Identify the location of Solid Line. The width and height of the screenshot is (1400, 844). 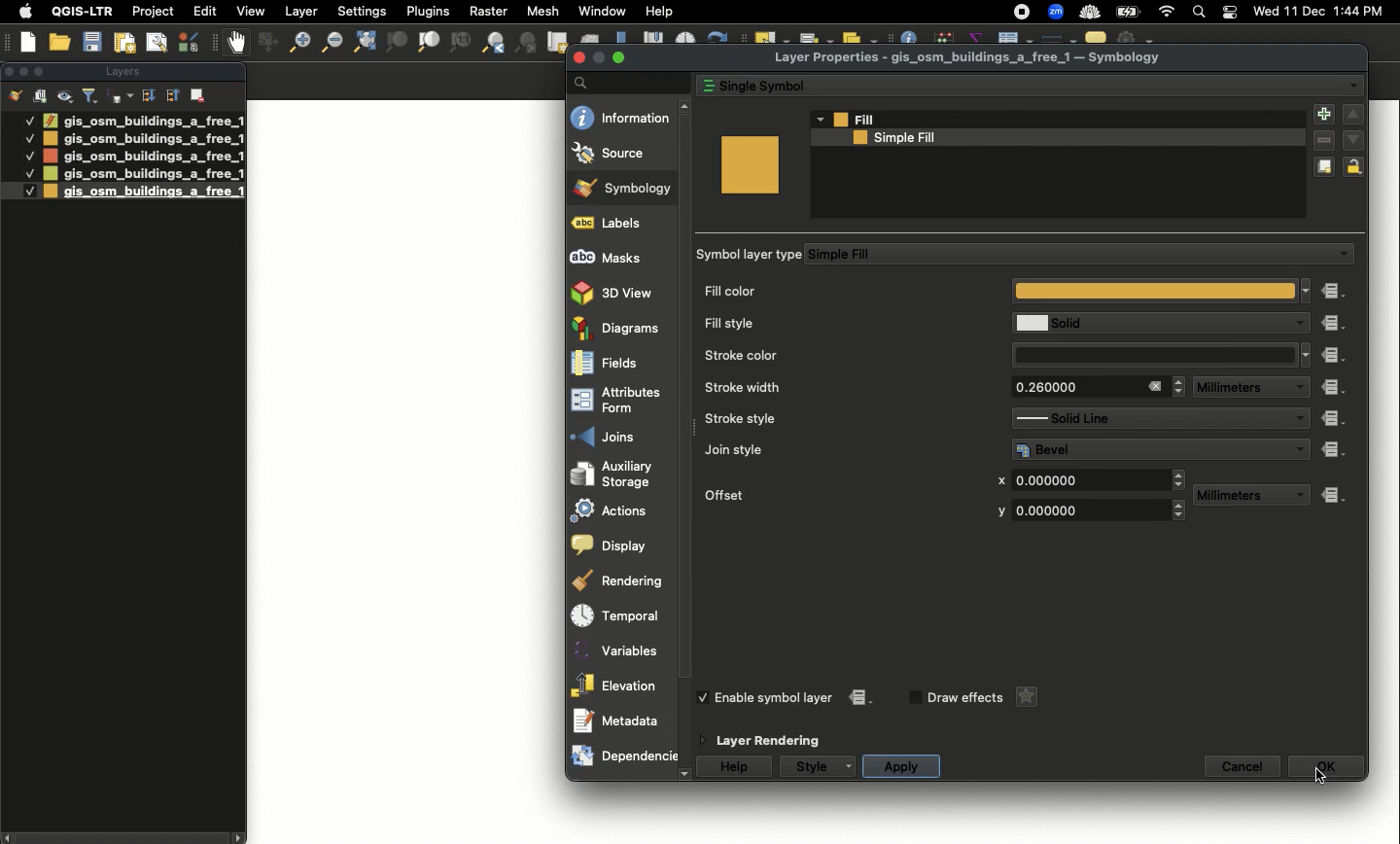
(1142, 418).